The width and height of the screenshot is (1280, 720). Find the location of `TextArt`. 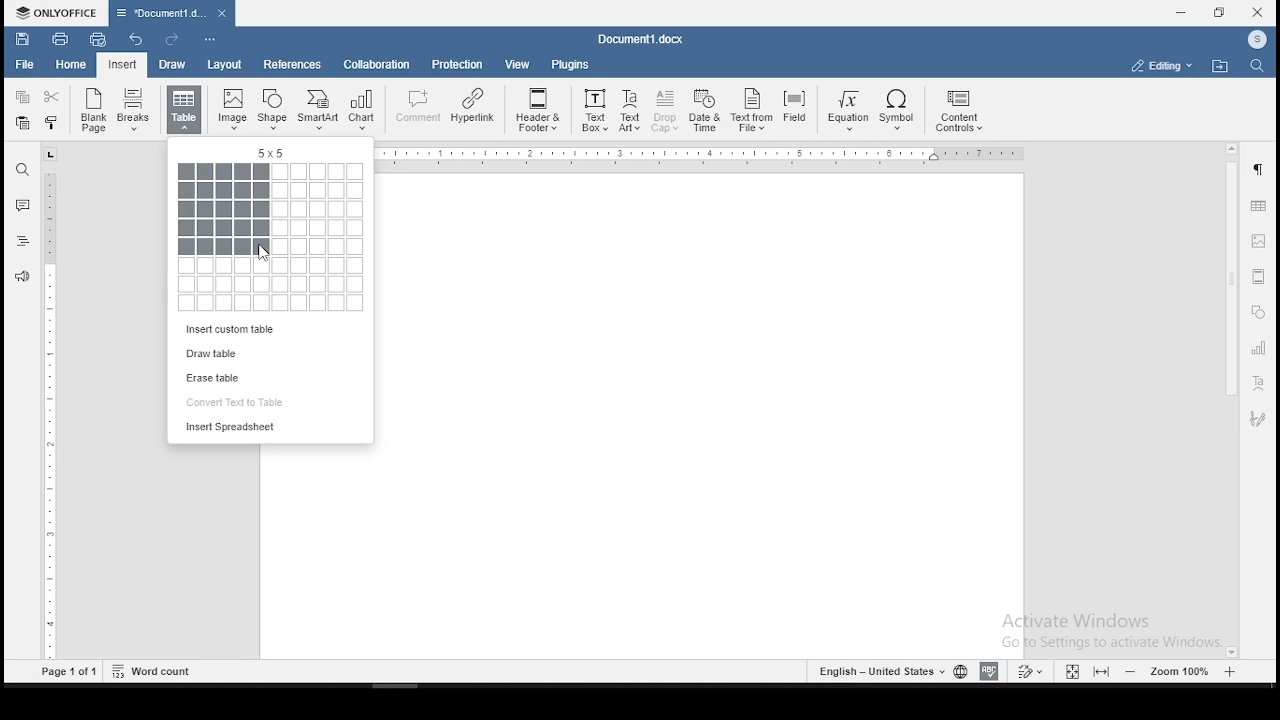

TextArt is located at coordinates (629, 112).